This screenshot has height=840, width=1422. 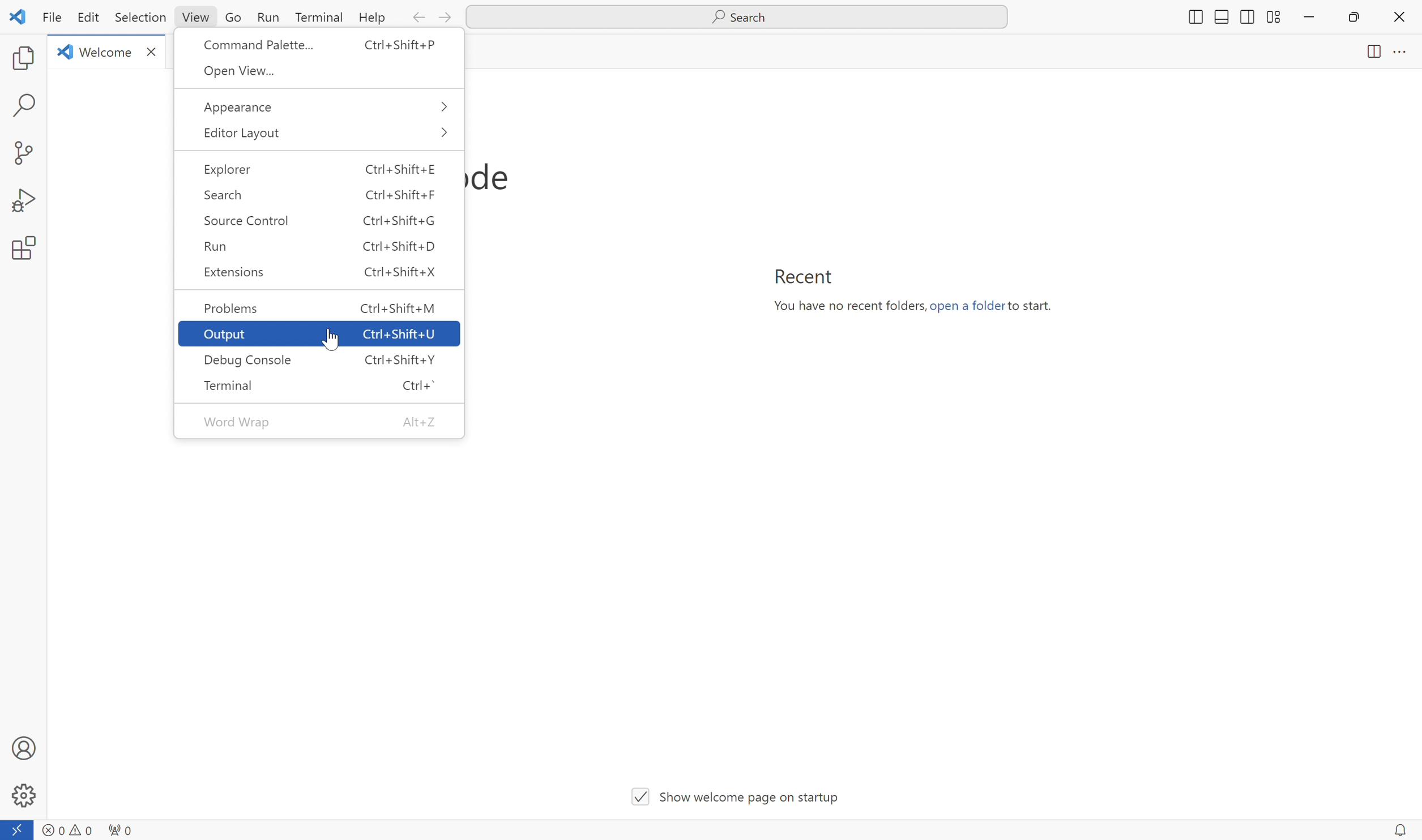 What do you see at coordinates (319, 169) in the screenshot?
I see `explorer` at bounding box center [319, 169].